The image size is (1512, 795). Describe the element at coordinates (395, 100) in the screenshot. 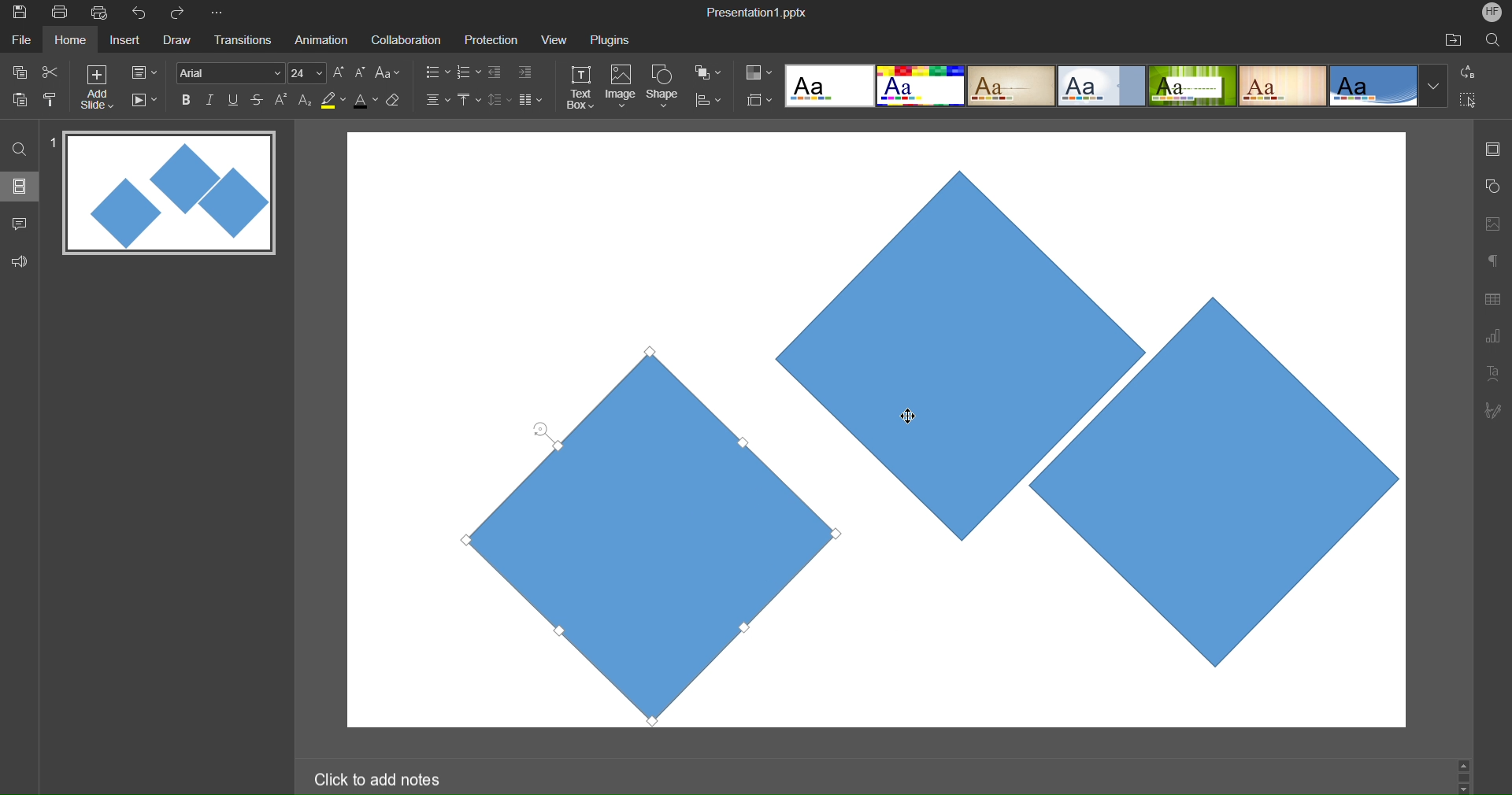

I see `Erase Style` at that location.